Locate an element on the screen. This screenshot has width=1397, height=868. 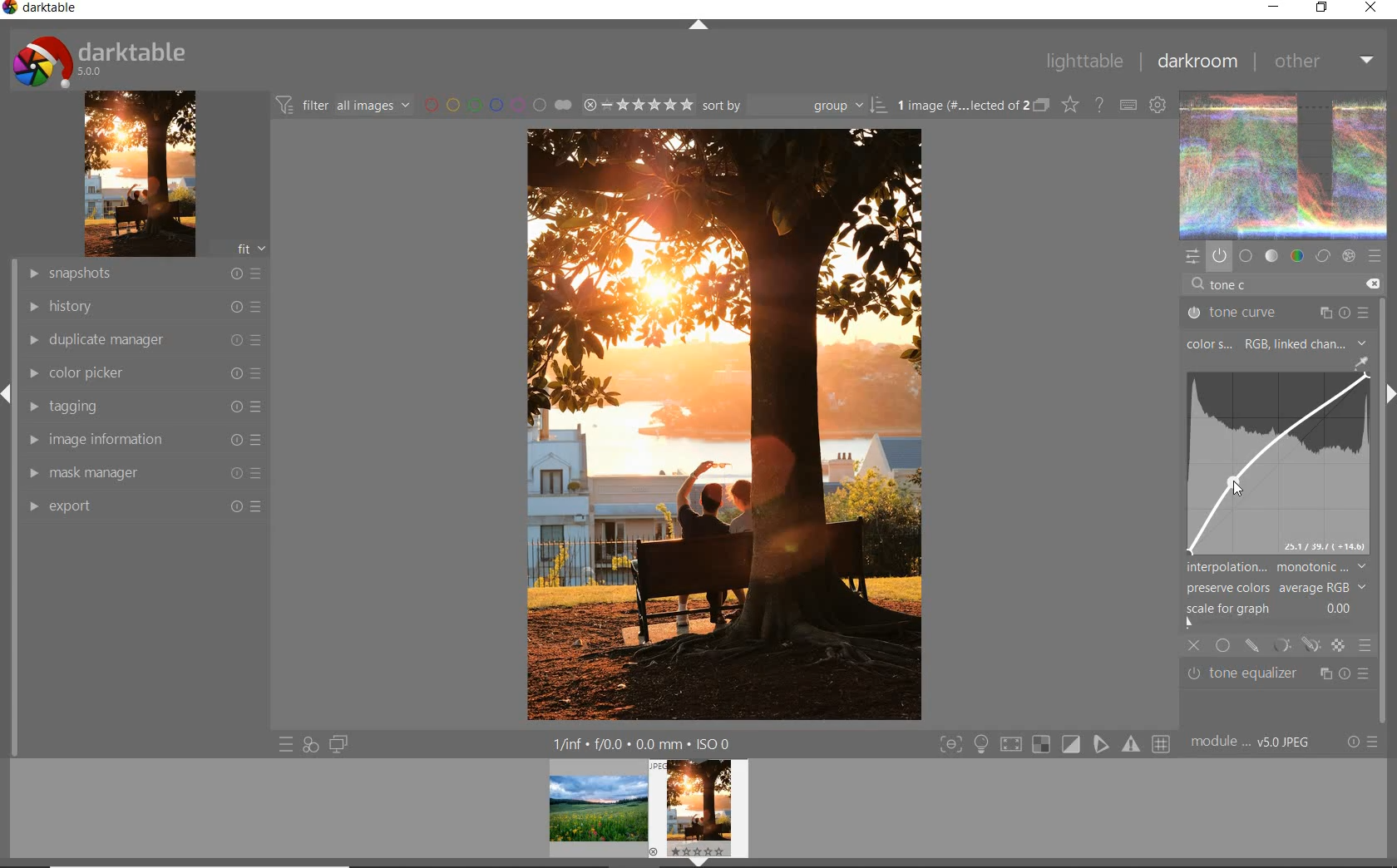
expand/collapse is located at coordinates (700, 28).